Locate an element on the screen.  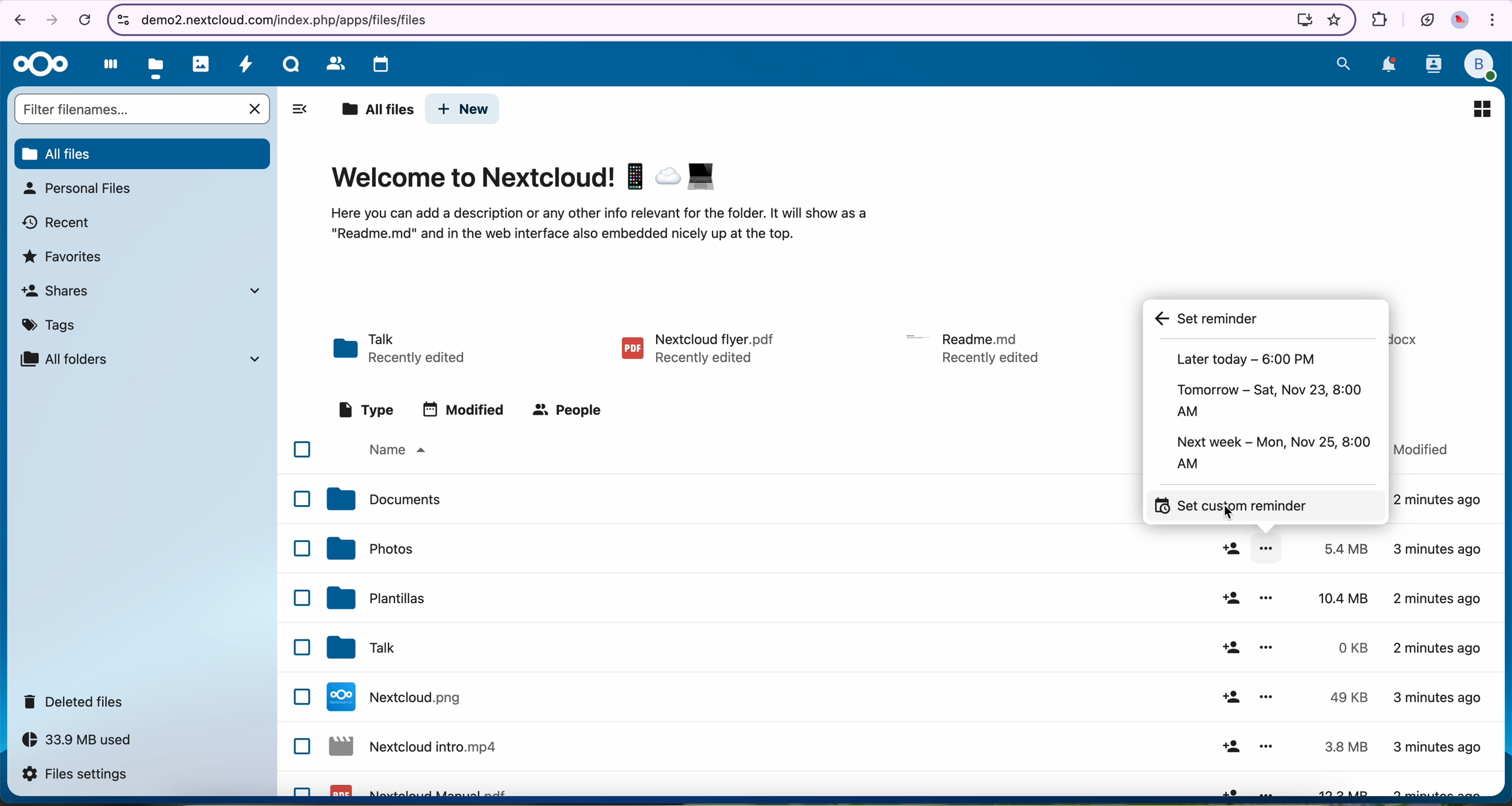
share is located at coordinates (1229, 648).